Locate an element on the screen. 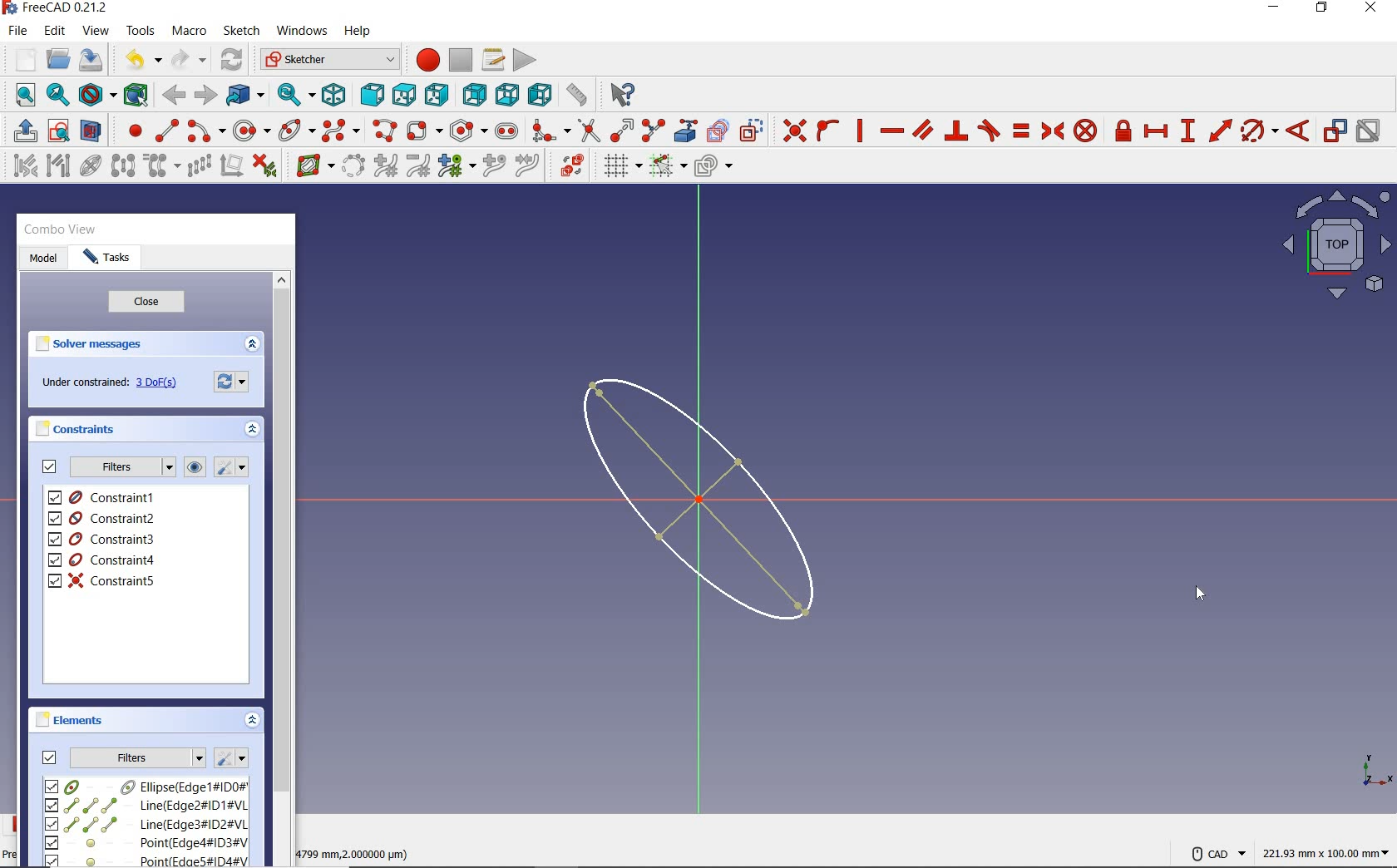 The width and height of the screenshot is (1397, 868). right is located at coordinates (437, 94).